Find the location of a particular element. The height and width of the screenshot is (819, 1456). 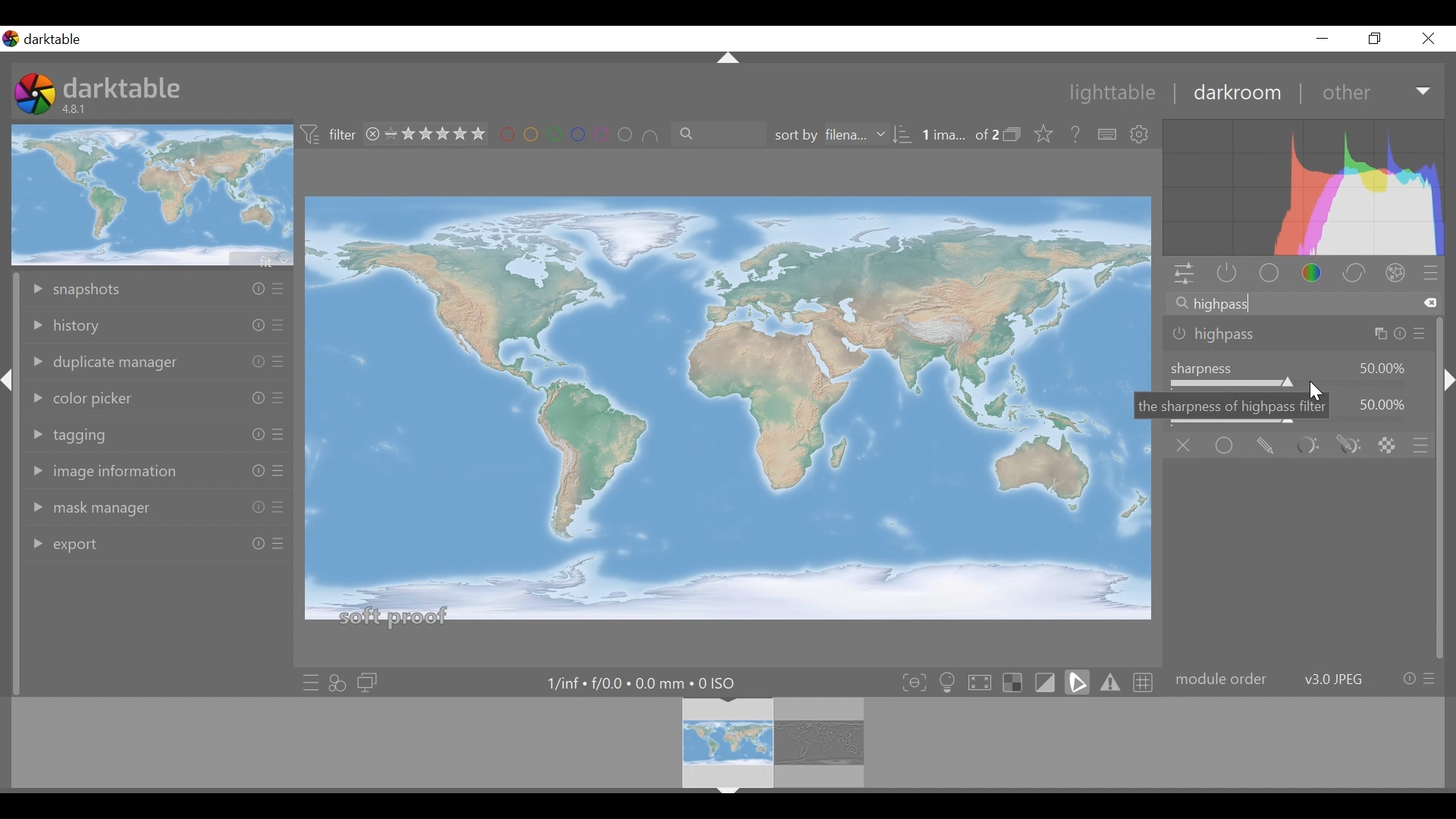

image information is located at coordinates (161, 470).